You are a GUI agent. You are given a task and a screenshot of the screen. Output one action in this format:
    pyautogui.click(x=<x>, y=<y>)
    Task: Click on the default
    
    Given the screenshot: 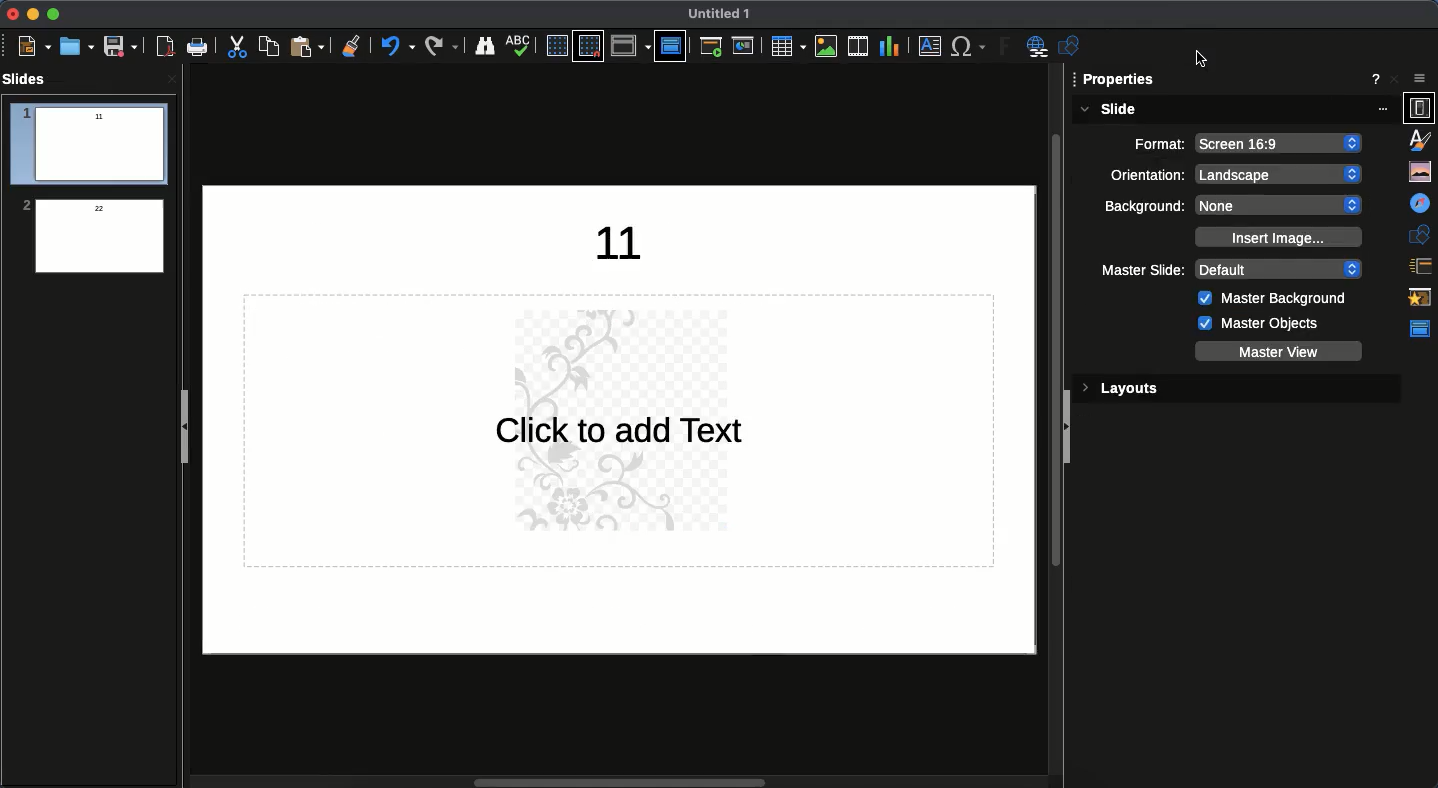 What is the action you would take?
    pyautogui.click(x=1277, y=269)
    